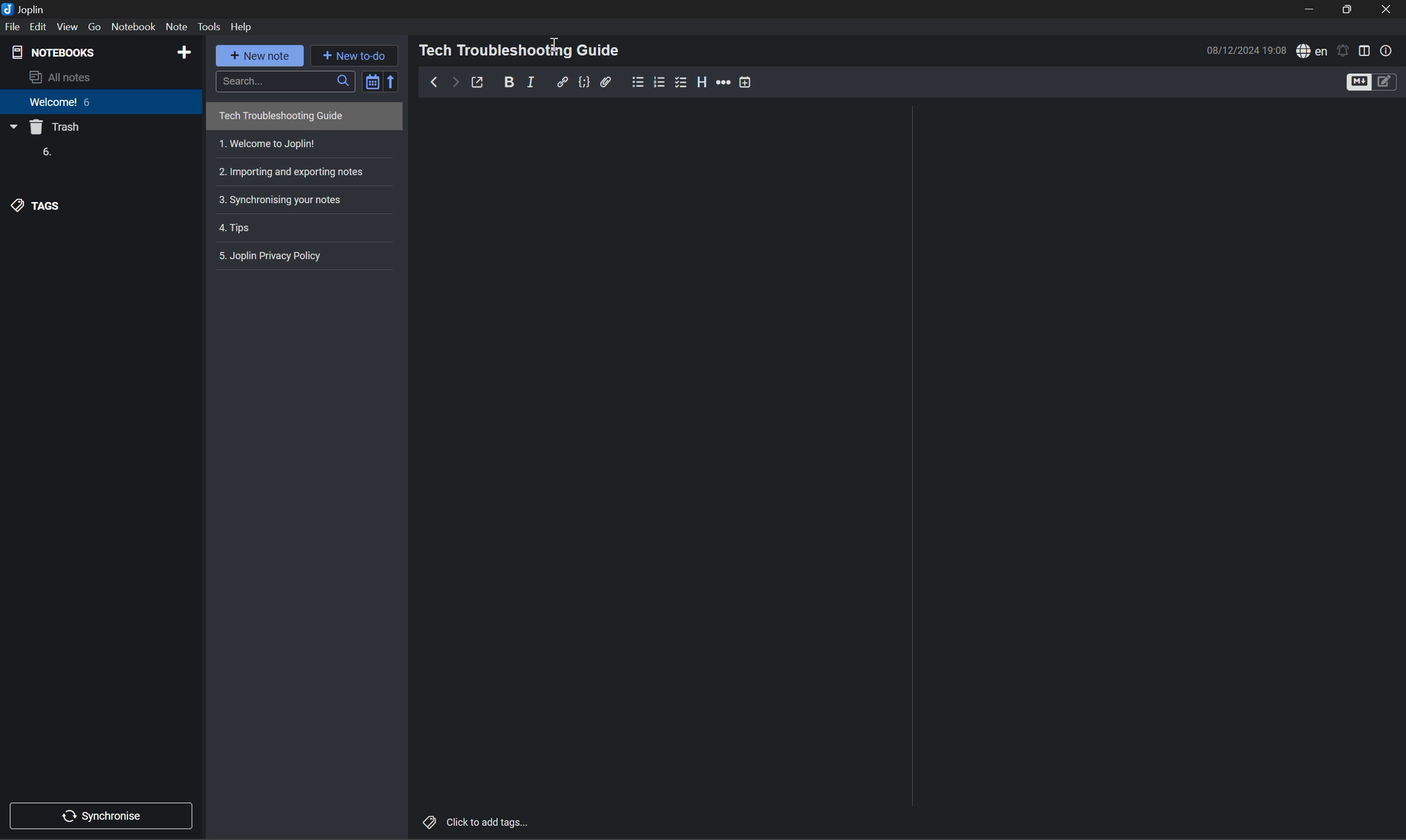  What do you see at coordinates (45, 153) in the screenshot?
I see `6.` at bounding box center [45, 153].